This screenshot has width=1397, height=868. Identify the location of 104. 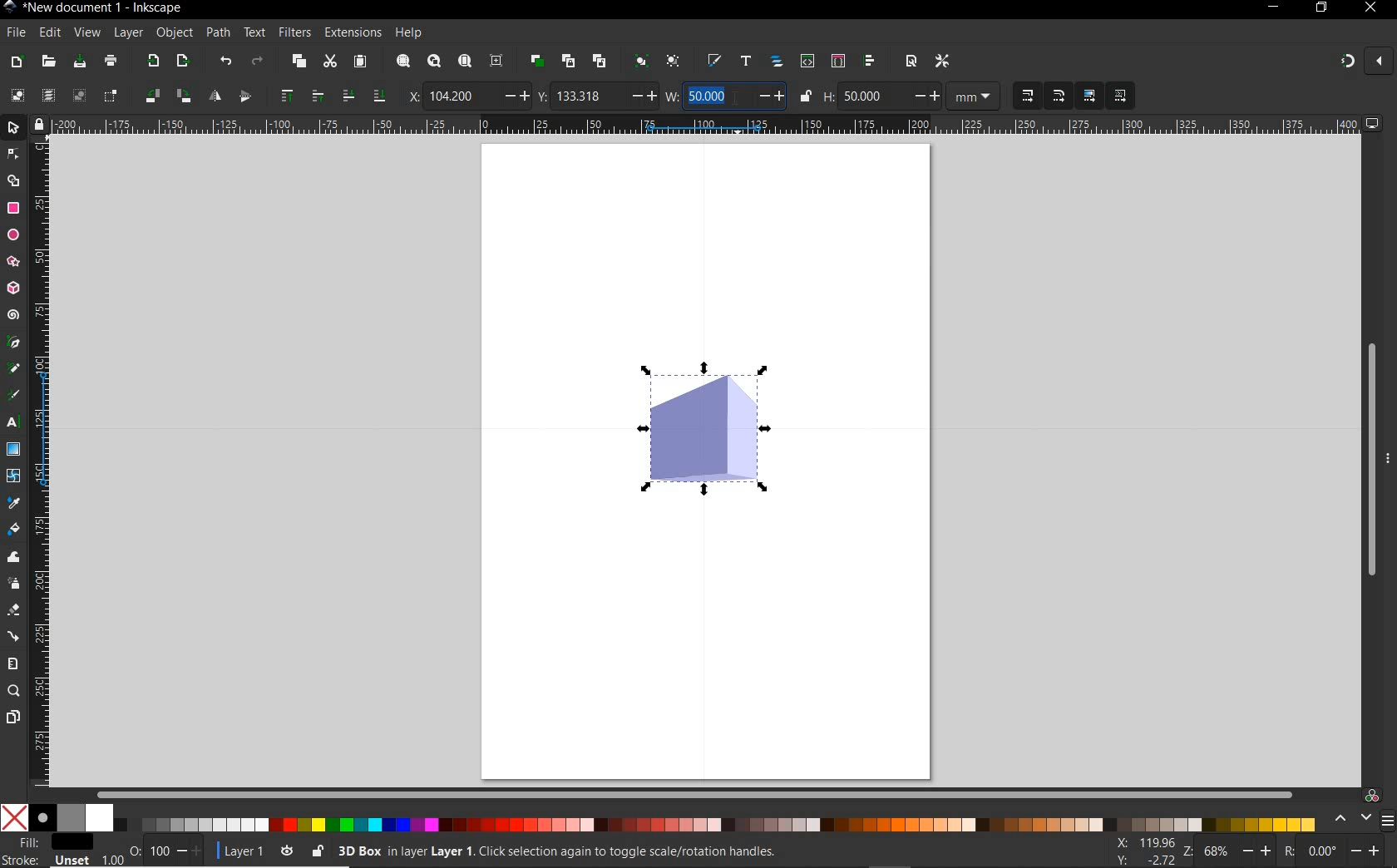
(462, 96).